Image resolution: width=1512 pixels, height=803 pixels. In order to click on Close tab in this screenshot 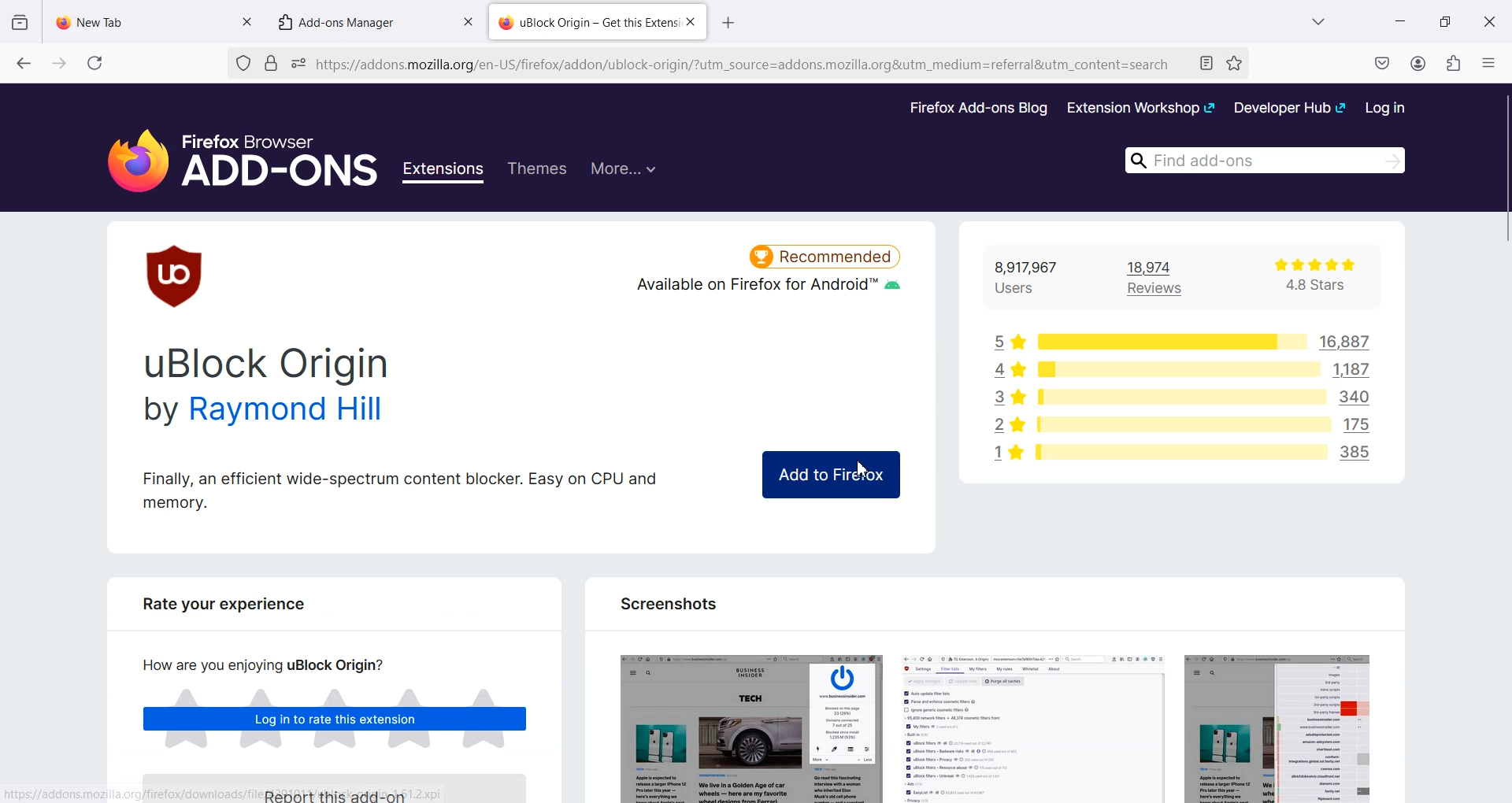, I will do `click(468, 22)`.